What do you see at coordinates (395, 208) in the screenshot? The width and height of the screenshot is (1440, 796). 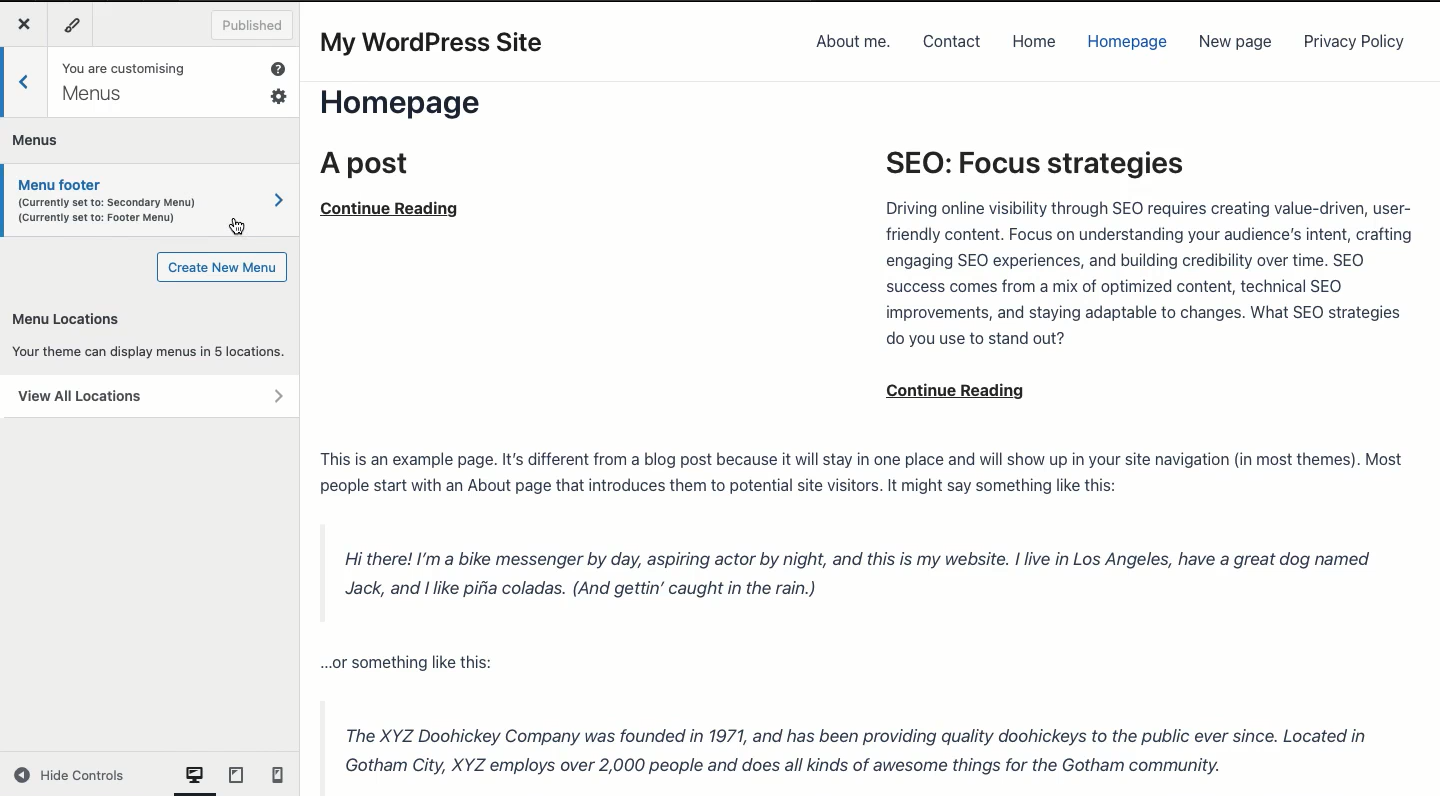 I see `continue` at bounding box center [395, 208].